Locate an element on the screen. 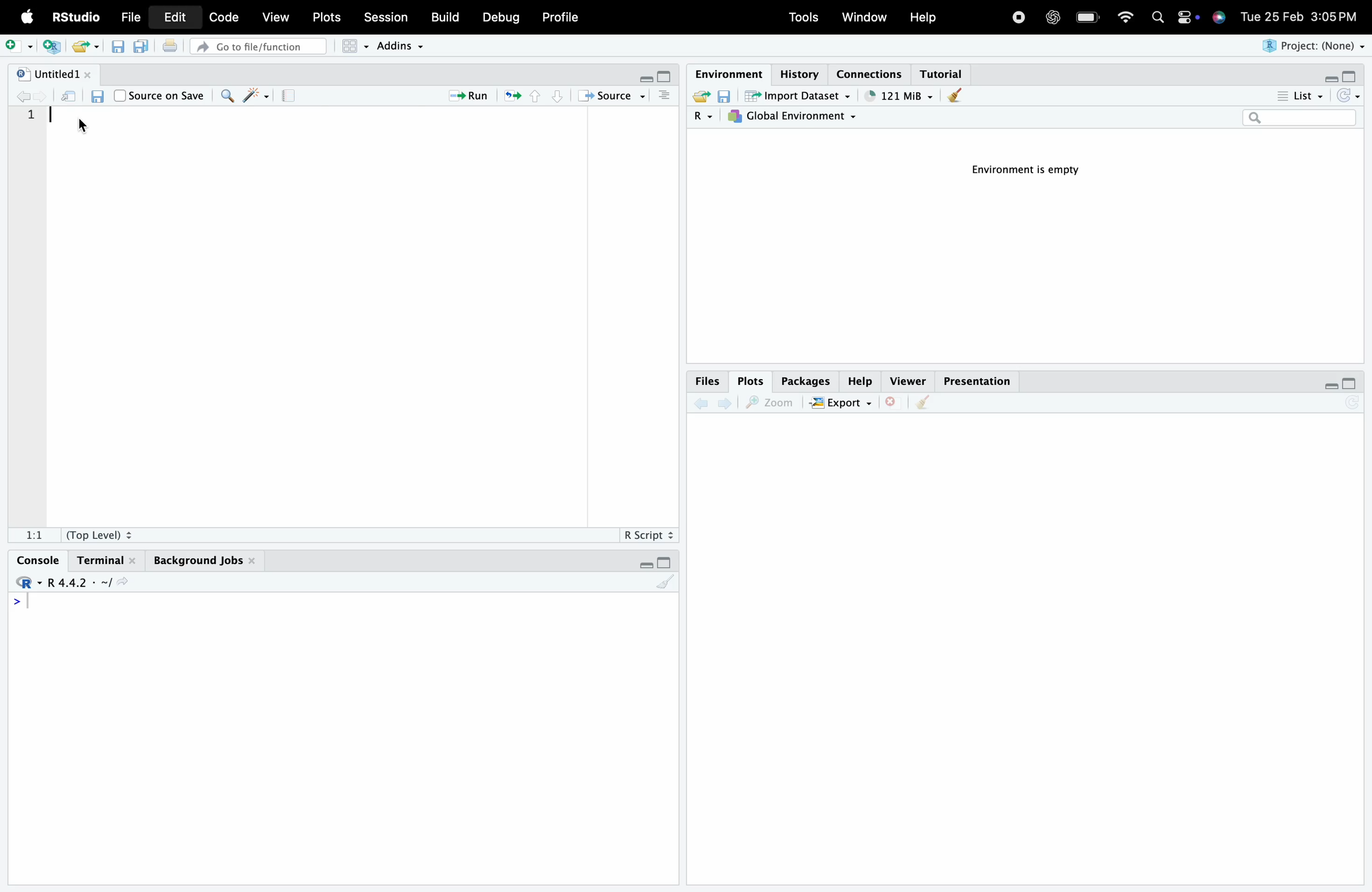 This screenshot has height=892, width=1372. Maximize/Restore is located at coordinates (669, 78).